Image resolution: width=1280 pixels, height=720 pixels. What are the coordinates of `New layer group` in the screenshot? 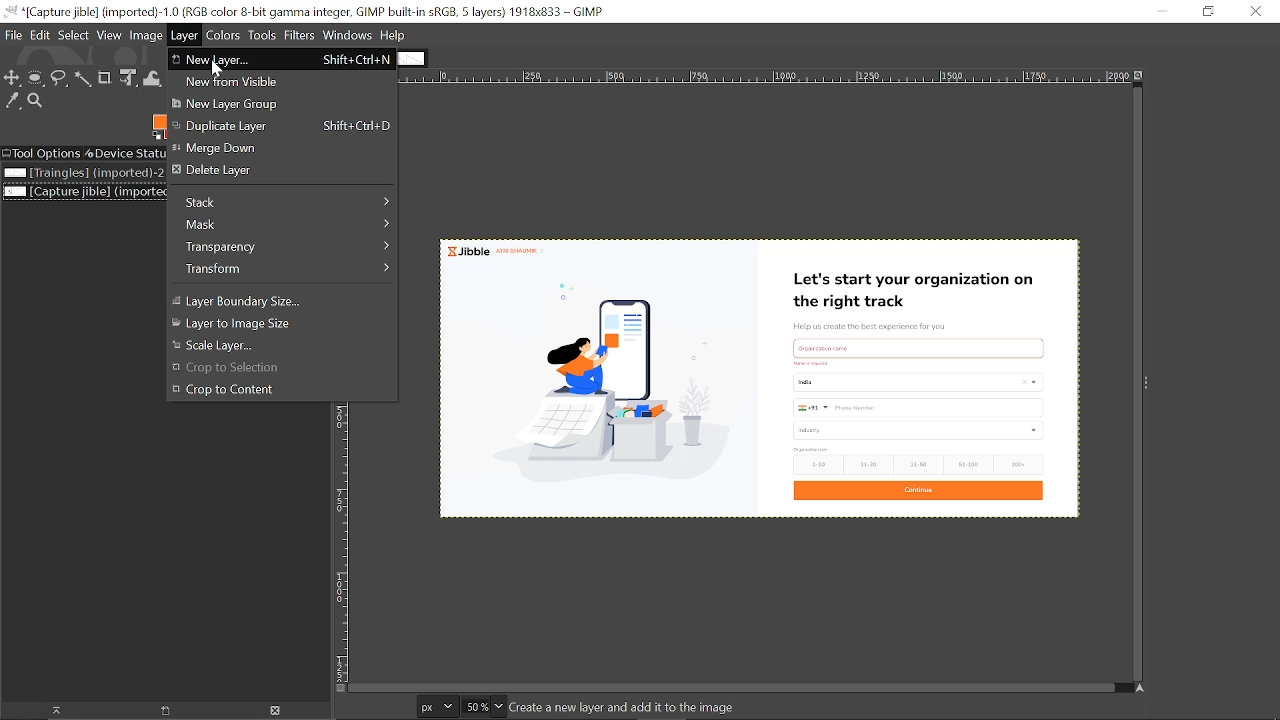 It's located at (272, 105).